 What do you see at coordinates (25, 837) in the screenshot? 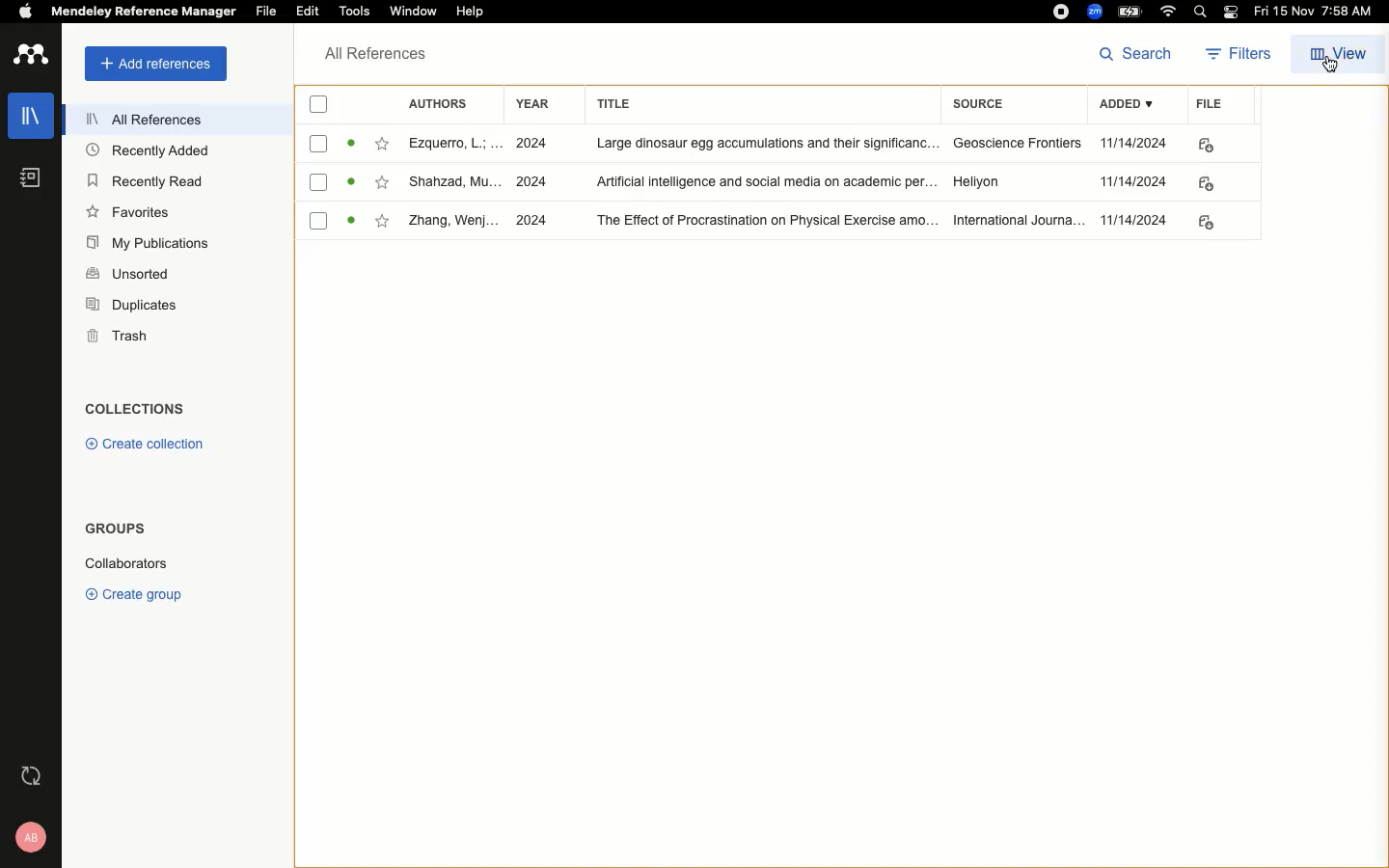
I see `Account and help` at bounding box center [25, 837].